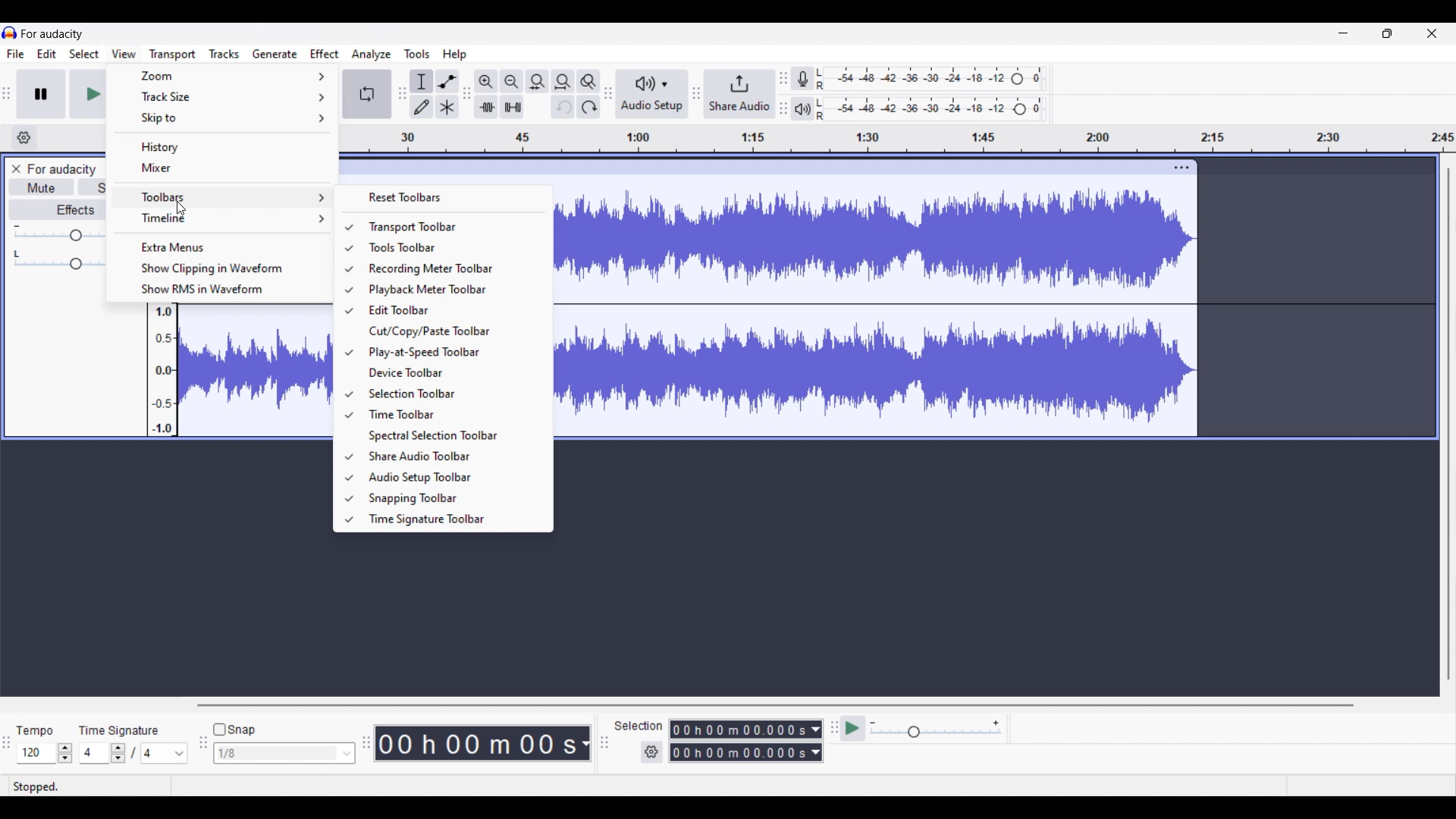  I want to click on Mixer, so click(222, 168).